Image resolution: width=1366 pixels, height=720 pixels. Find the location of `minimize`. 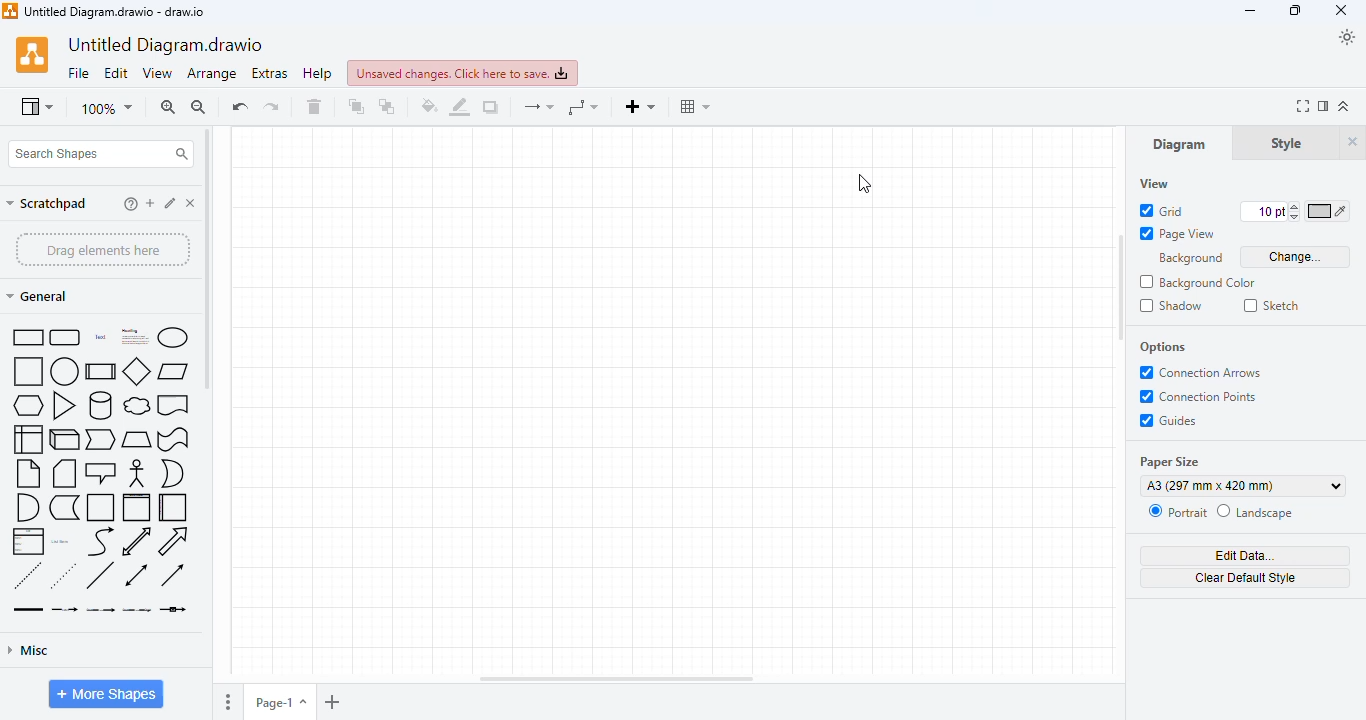

minimize is located at coordinates (1250, 12).